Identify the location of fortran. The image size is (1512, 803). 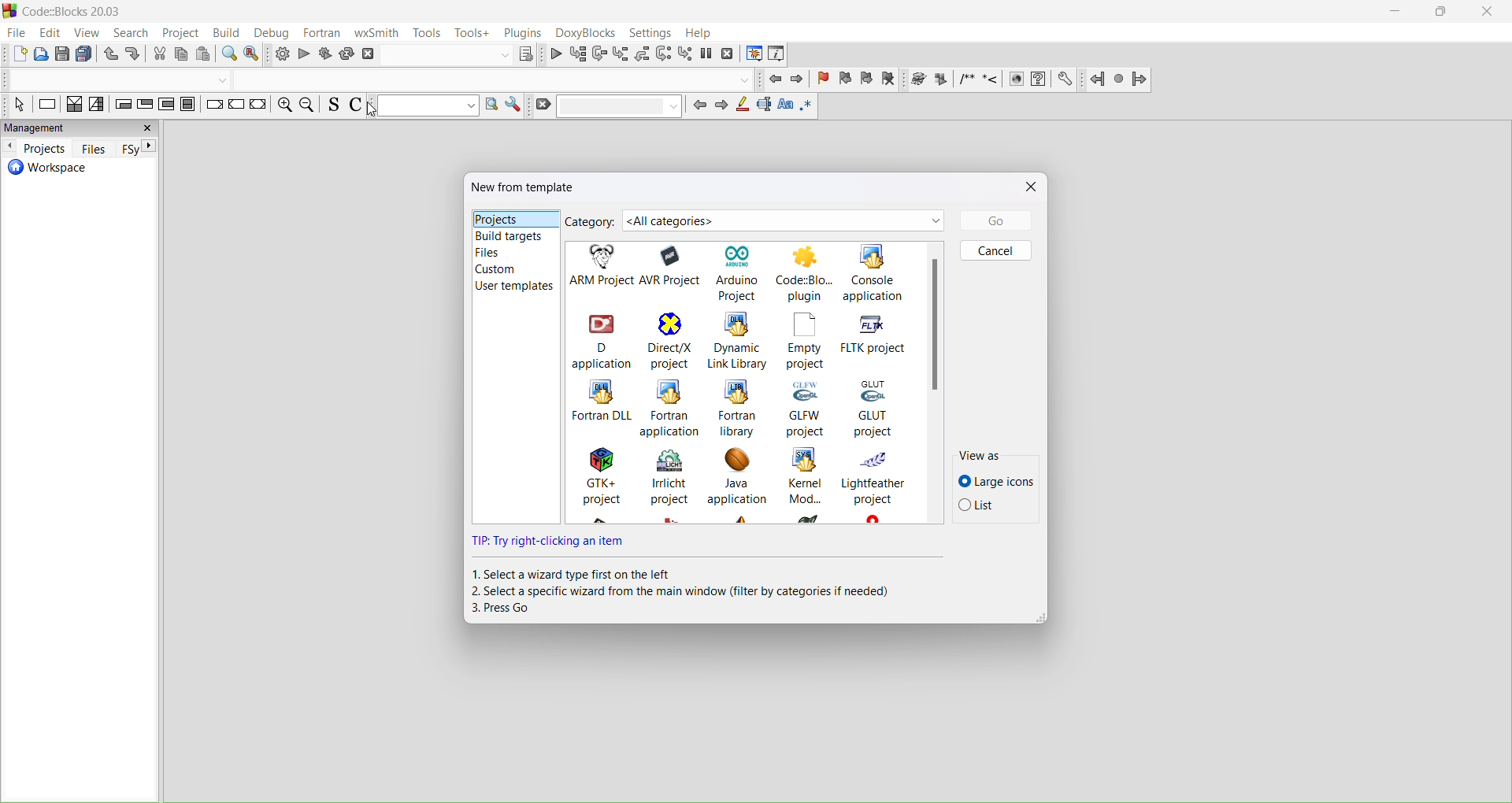
(323, 34).